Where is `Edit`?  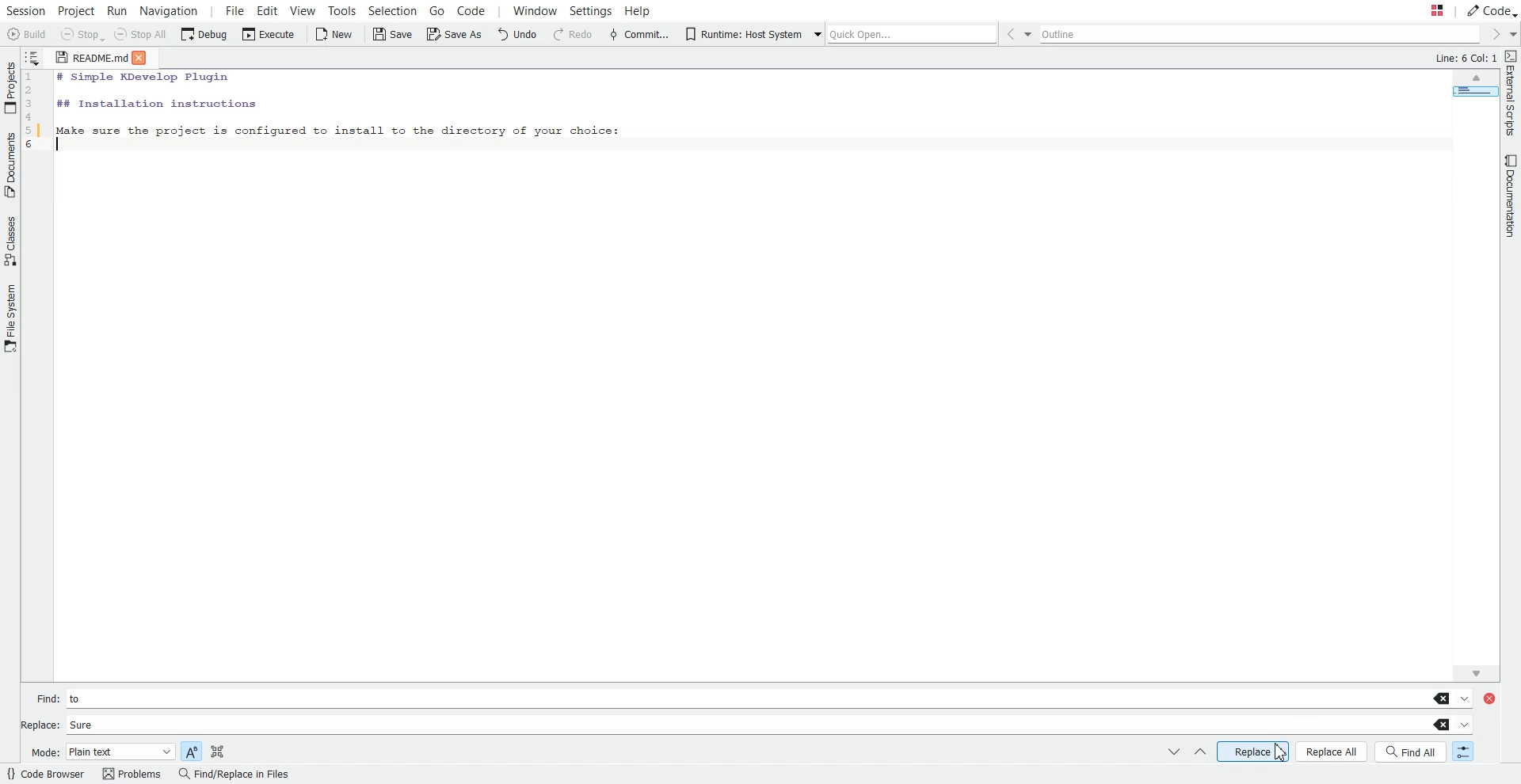 Edit is located at coordinates (268, 10).